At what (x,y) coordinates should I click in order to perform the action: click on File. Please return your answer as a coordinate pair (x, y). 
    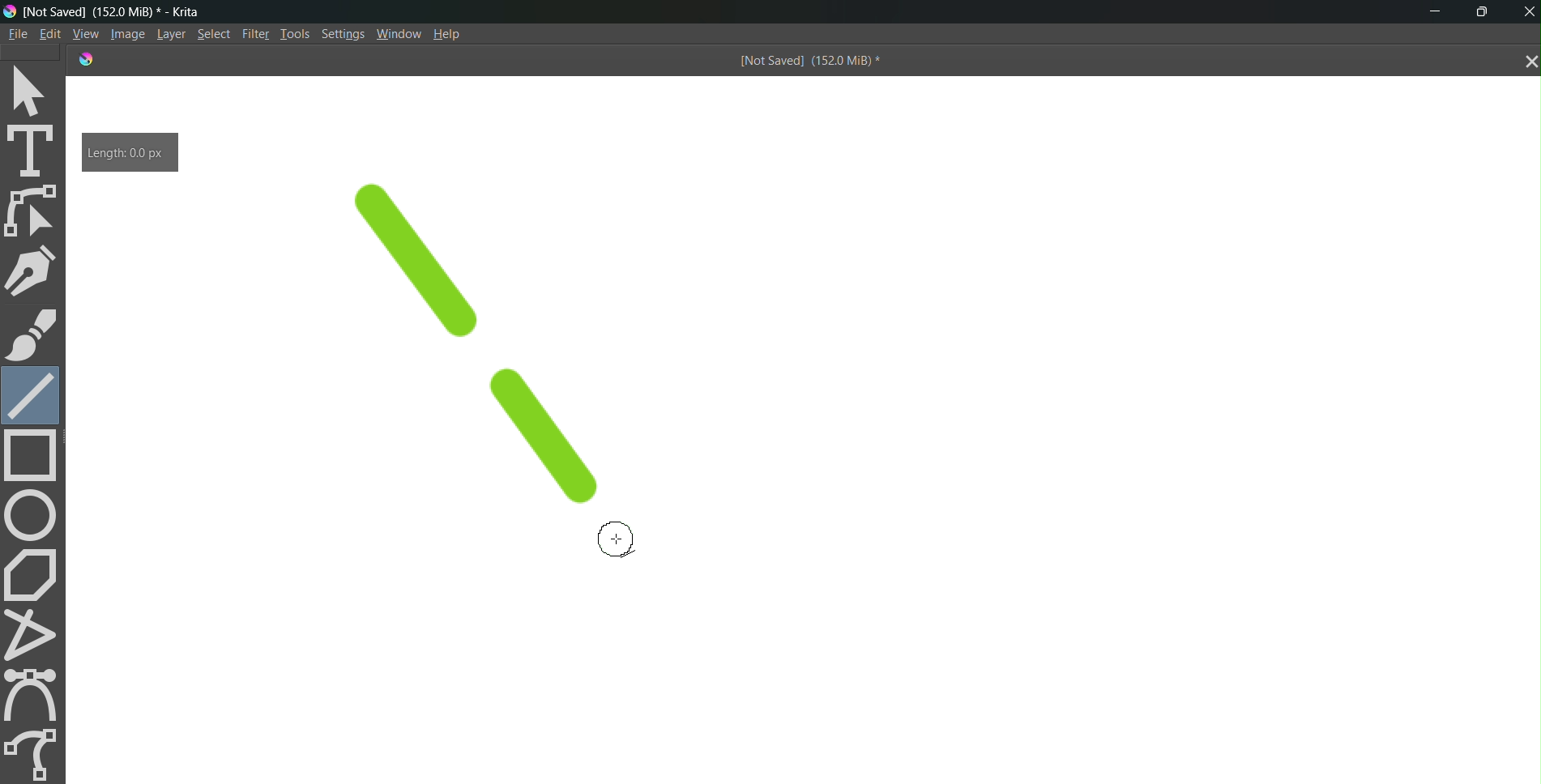
    Looking at the image, I should click on (16, 33).